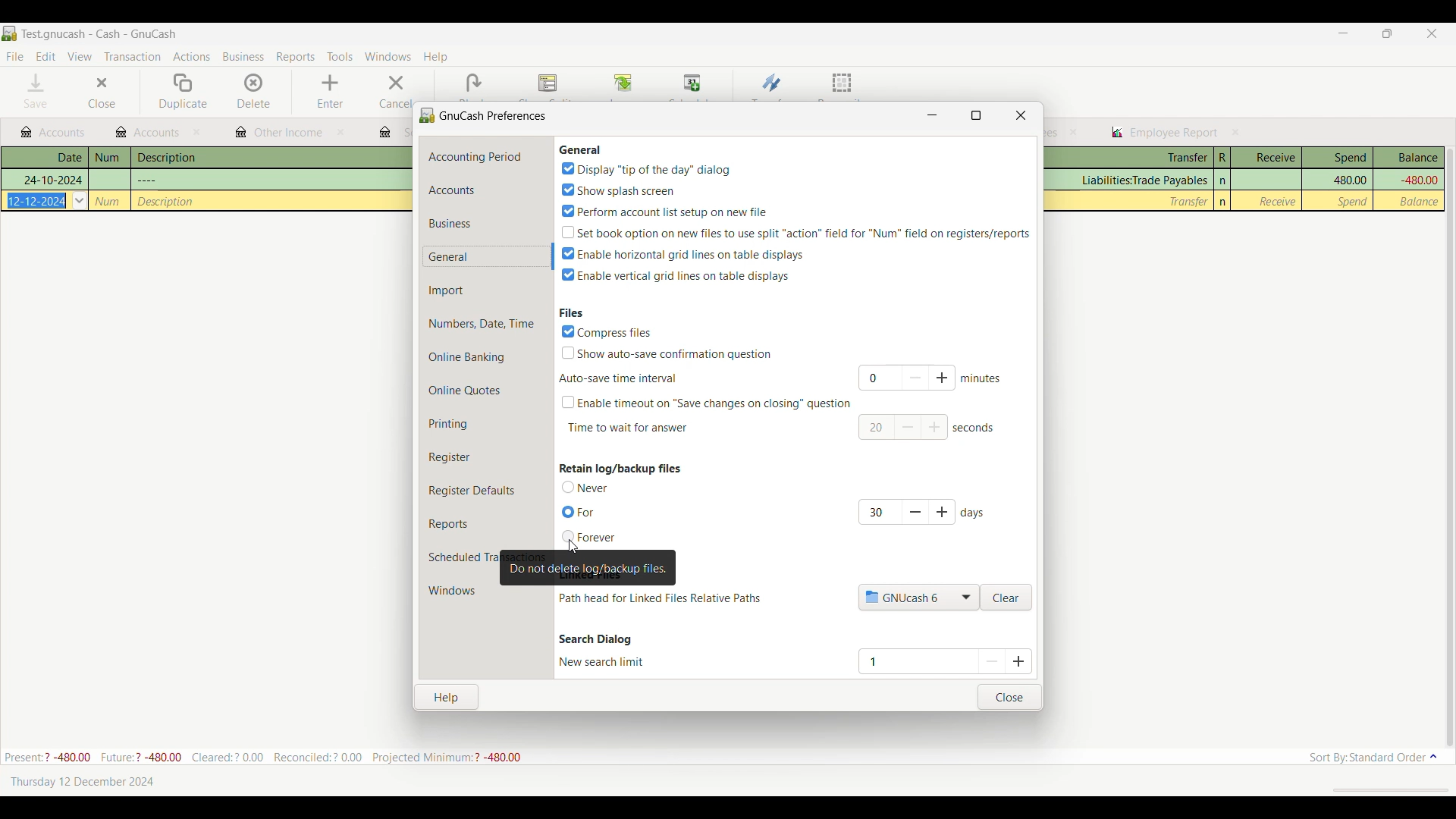 The image size is (1456, 819). What do you see at coordinates (45, 158) in the screenshot?
I see `Date column` at bounding box center [45, 158].